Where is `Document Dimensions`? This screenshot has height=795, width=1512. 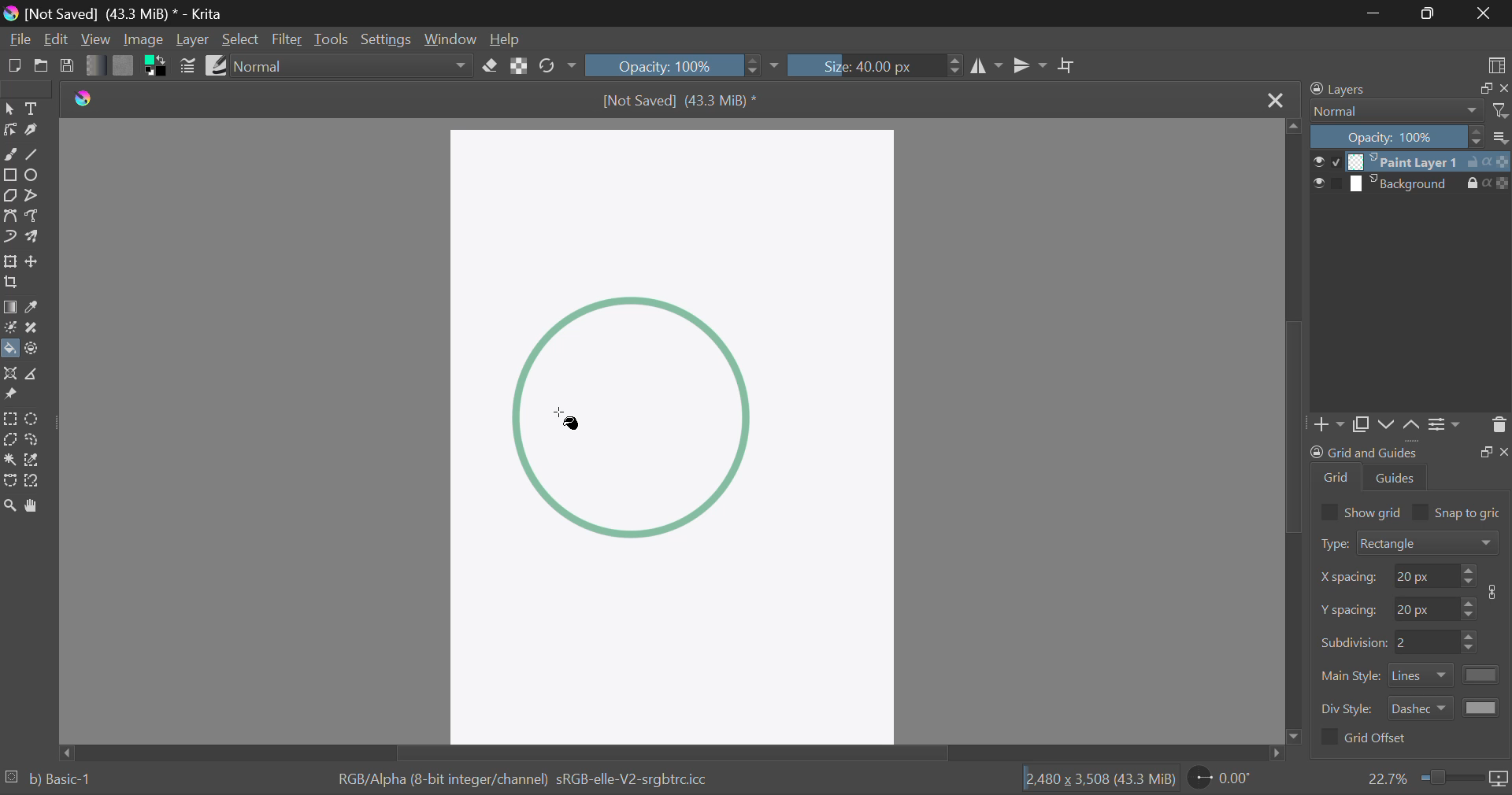
Document Dimensions is located at coordinates (1096, 780).